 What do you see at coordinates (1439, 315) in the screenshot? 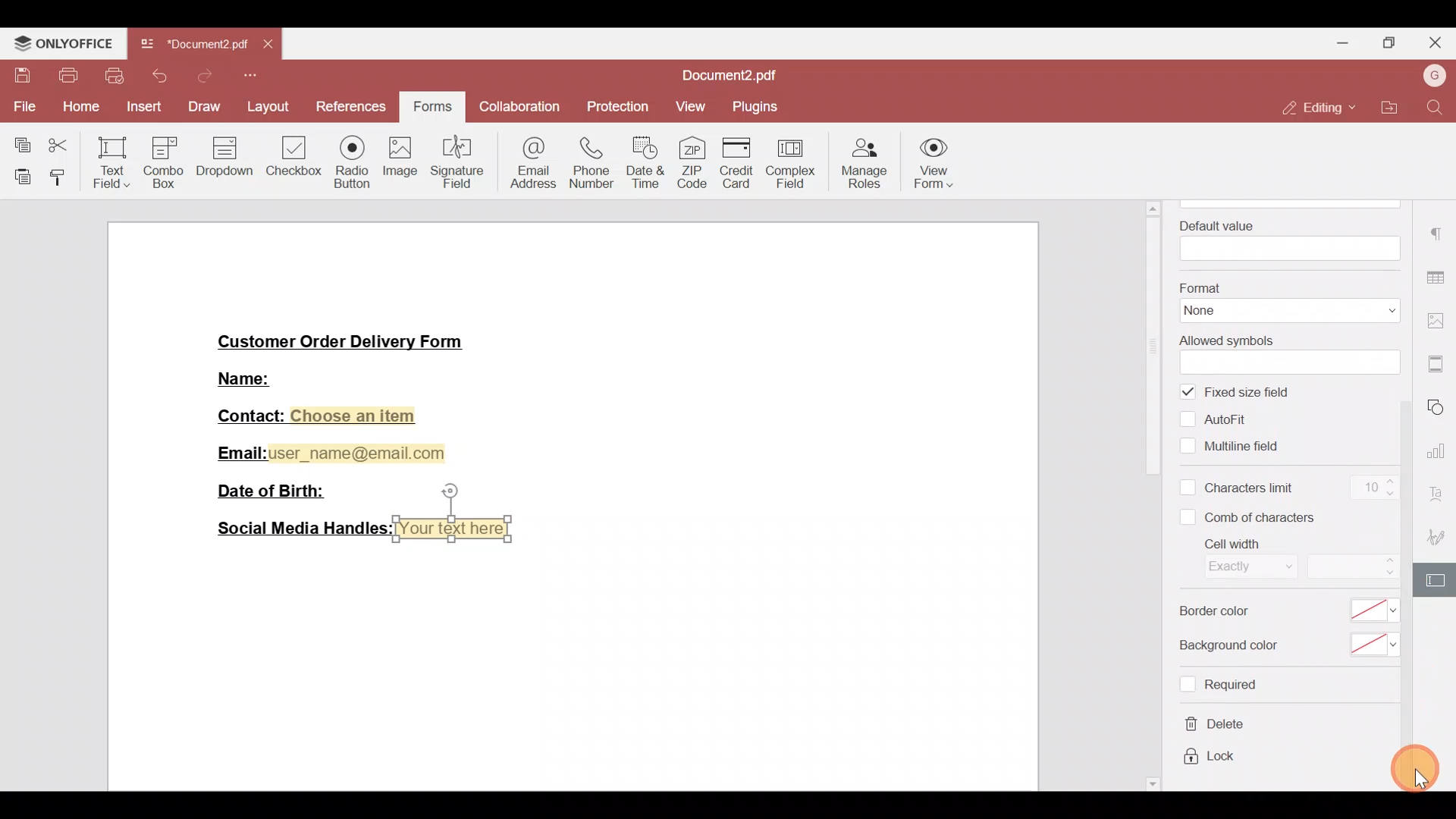
I see `Image settings` at bounding box center [1439, 315].